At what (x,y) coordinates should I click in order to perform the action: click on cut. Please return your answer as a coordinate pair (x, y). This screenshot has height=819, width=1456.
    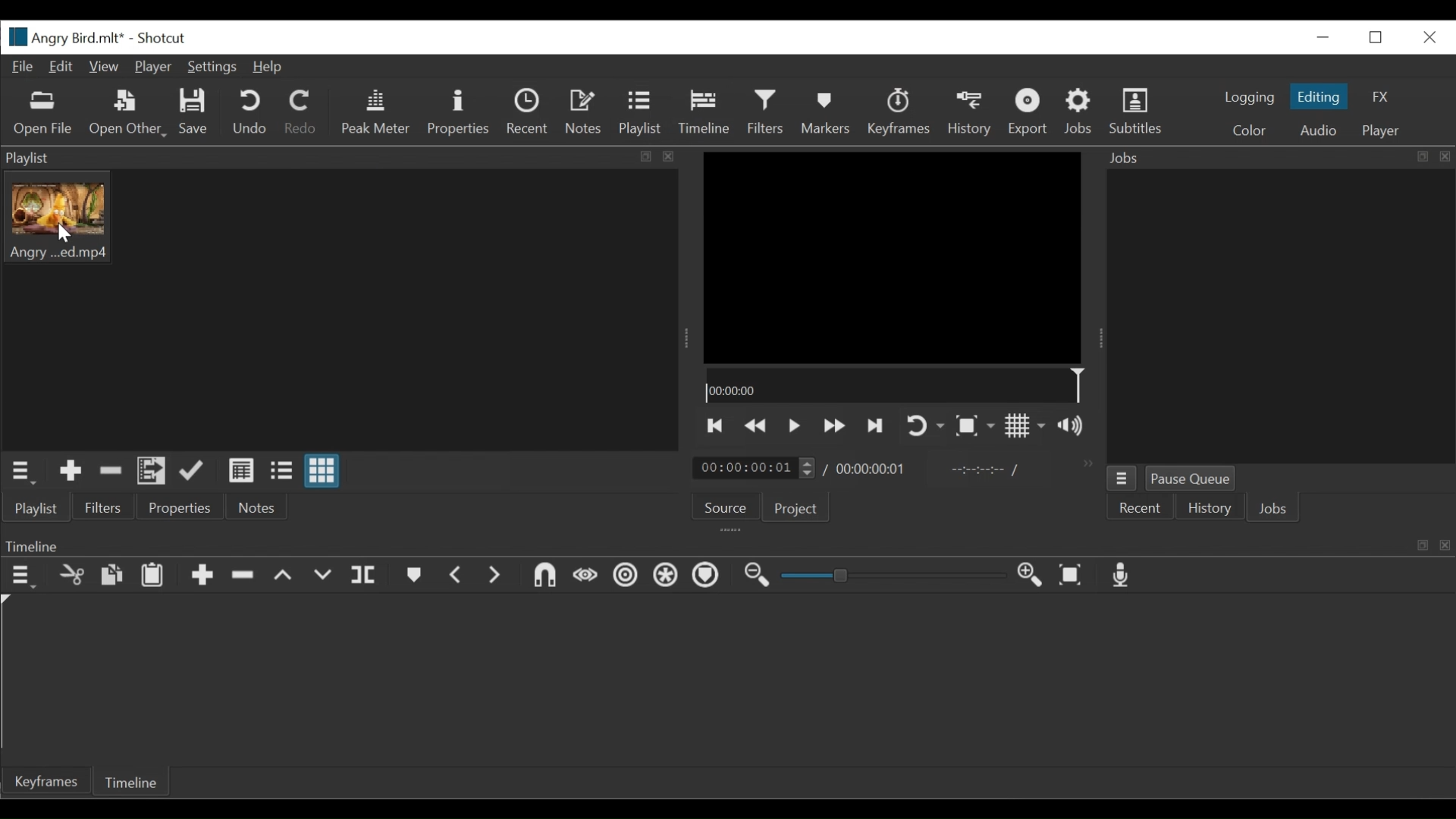
    Looking at the image, I should click on (71, 576).